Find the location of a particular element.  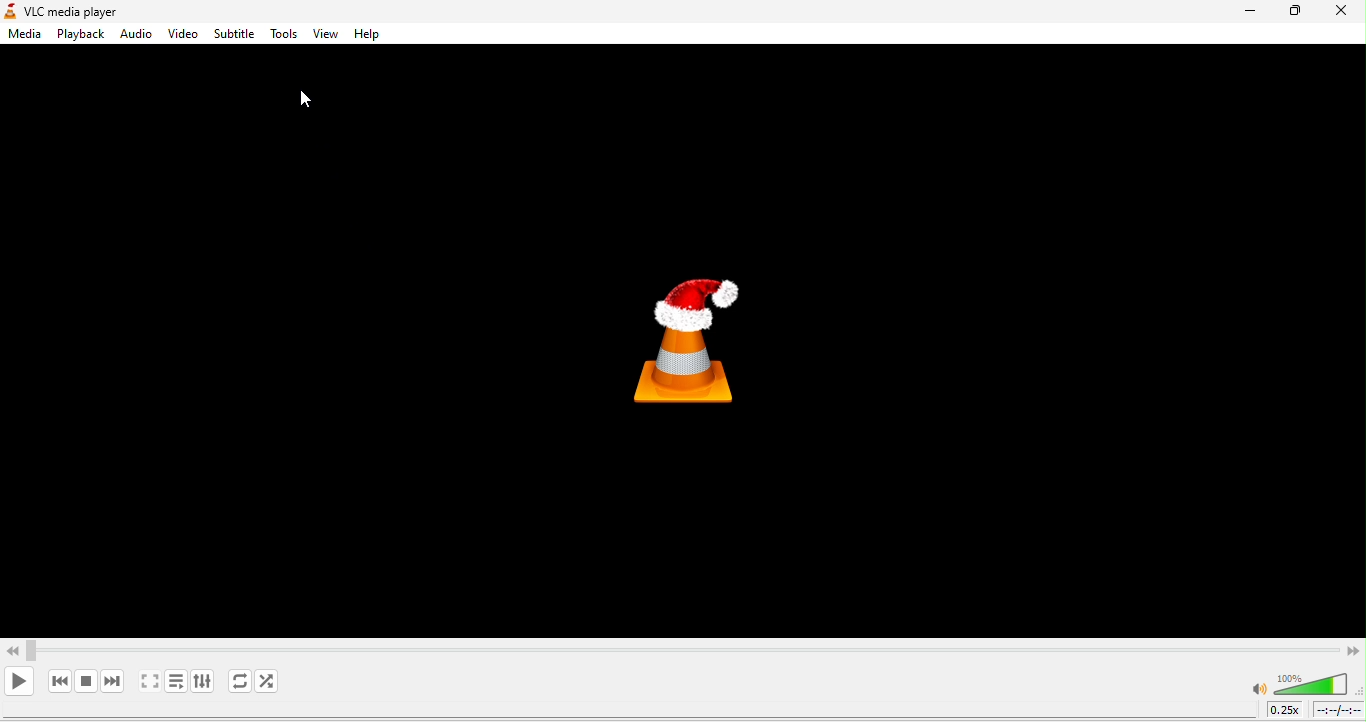

show extended settings is located at coordinates (203, 684).